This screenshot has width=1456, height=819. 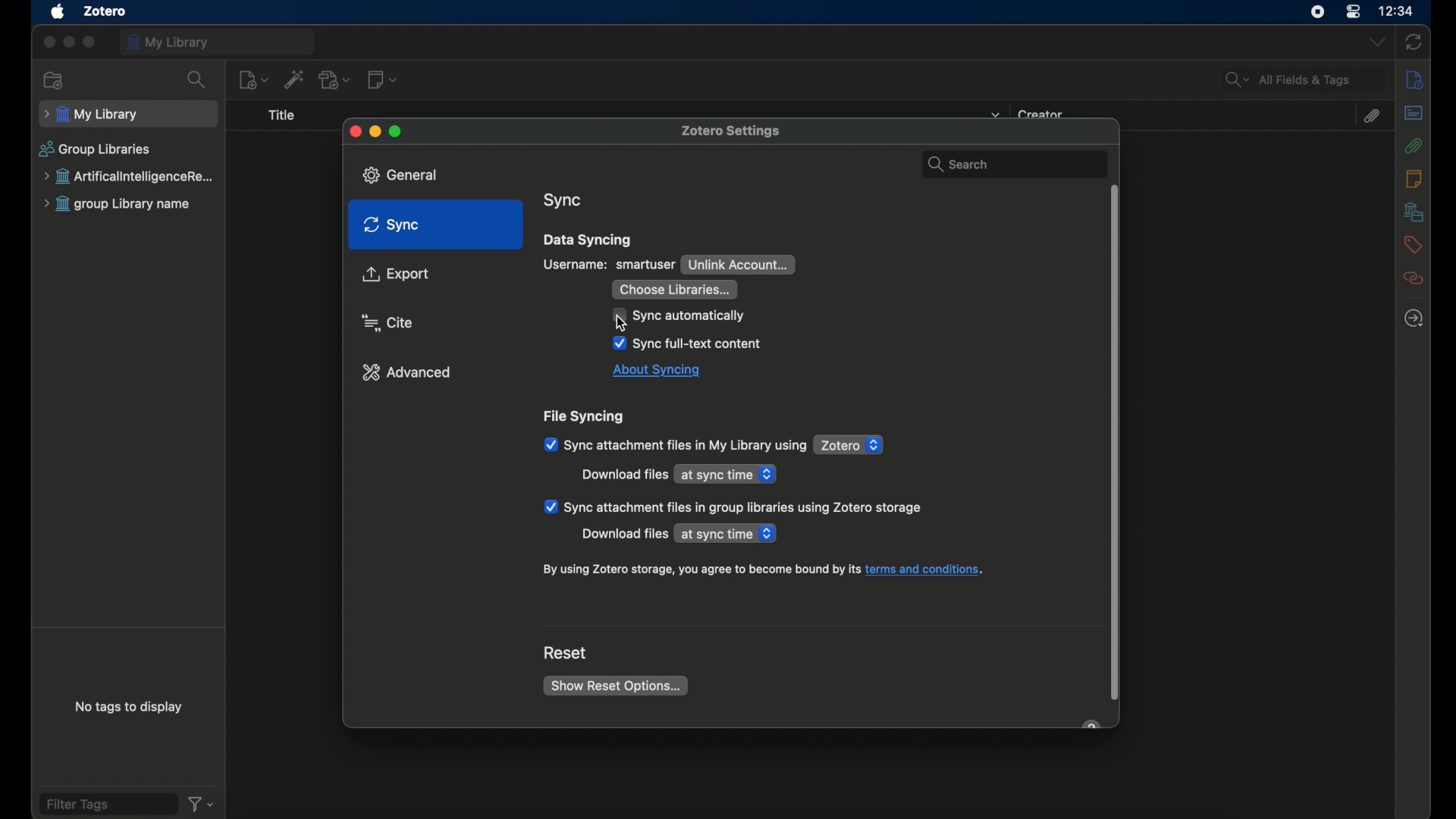 I want to click on unlink account, so click(x=739, y=265).